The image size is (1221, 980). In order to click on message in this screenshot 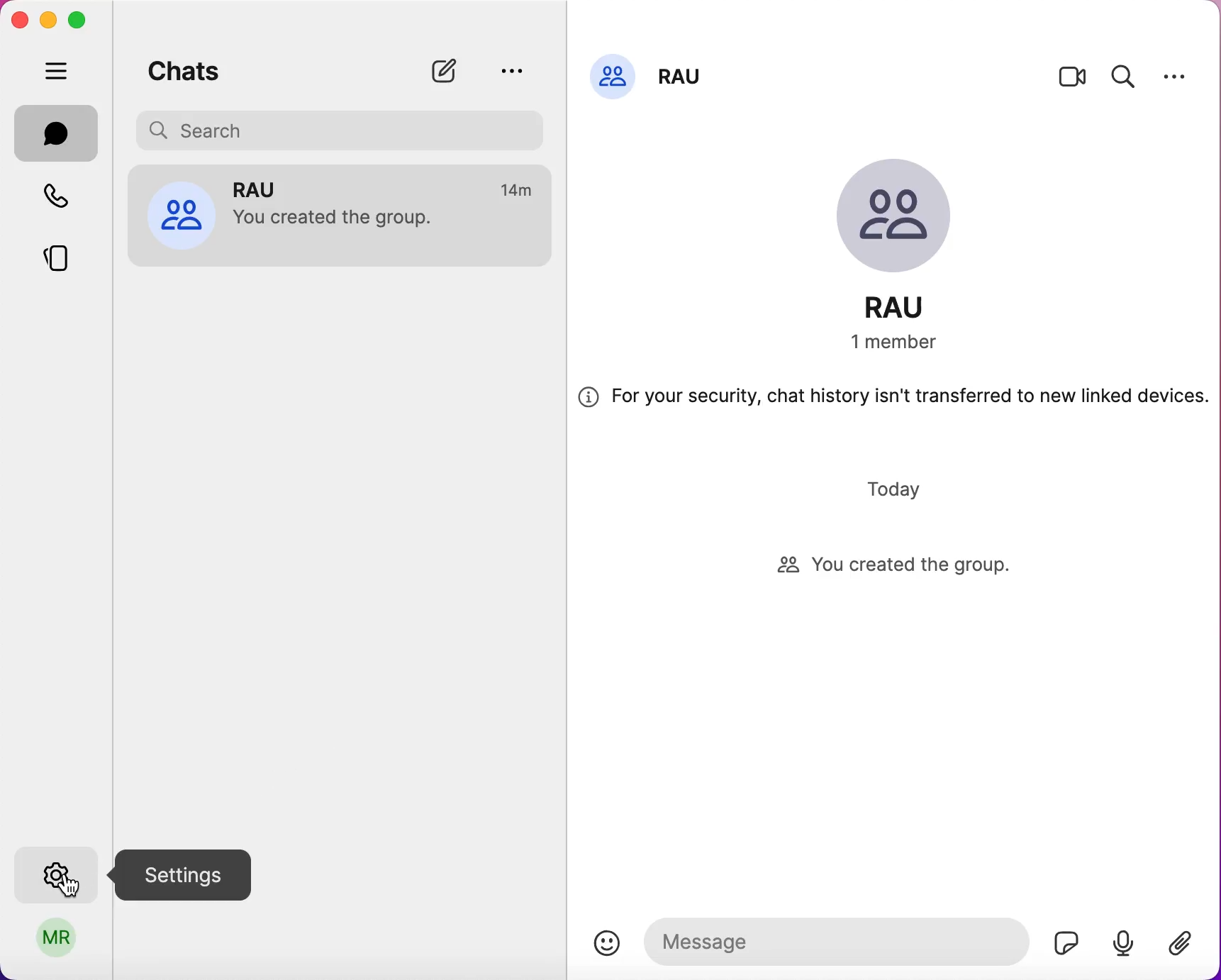, I will do `click(837, 939)`.